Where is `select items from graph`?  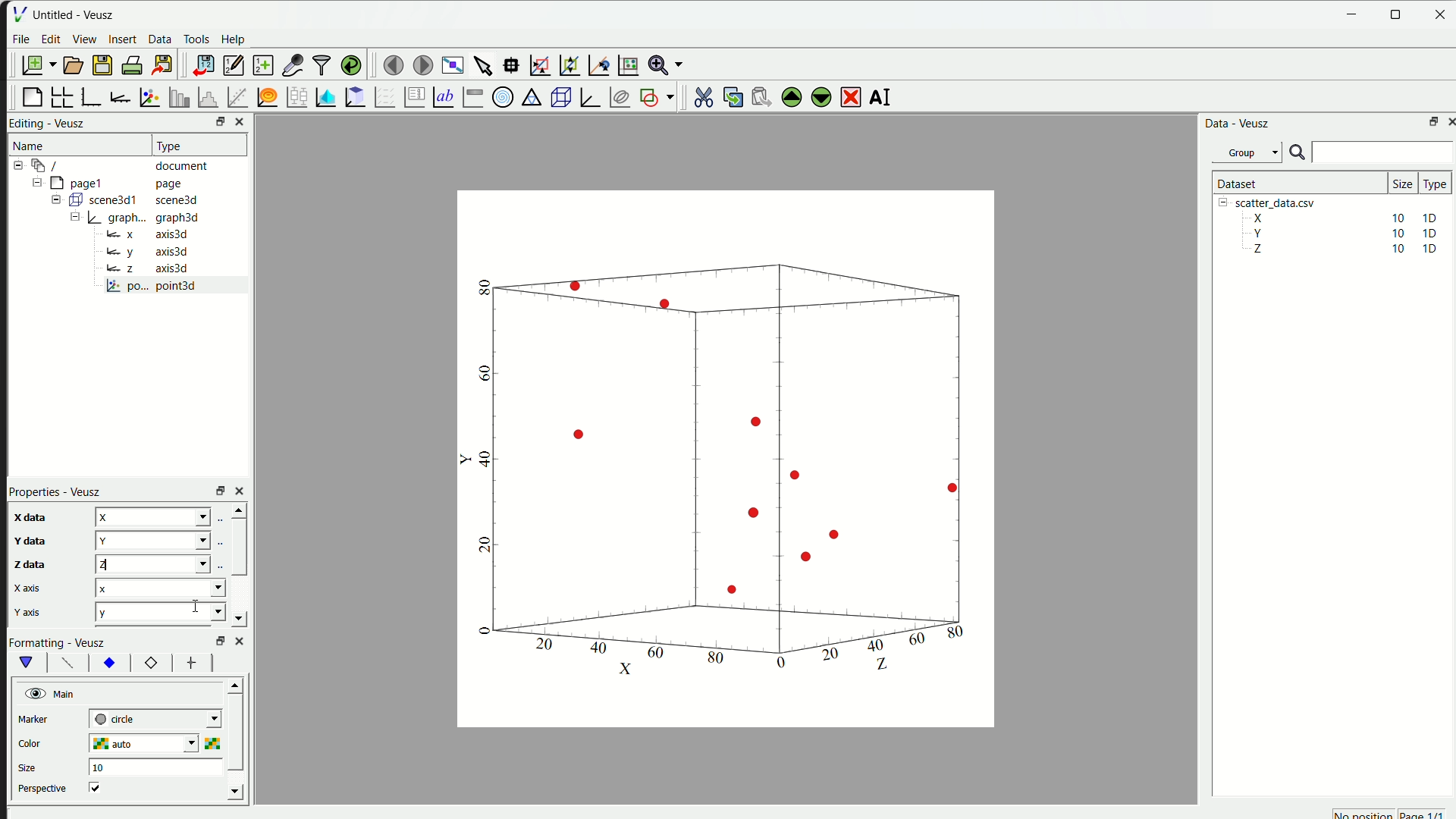
select items from graph is located at coordinates (482, 63).